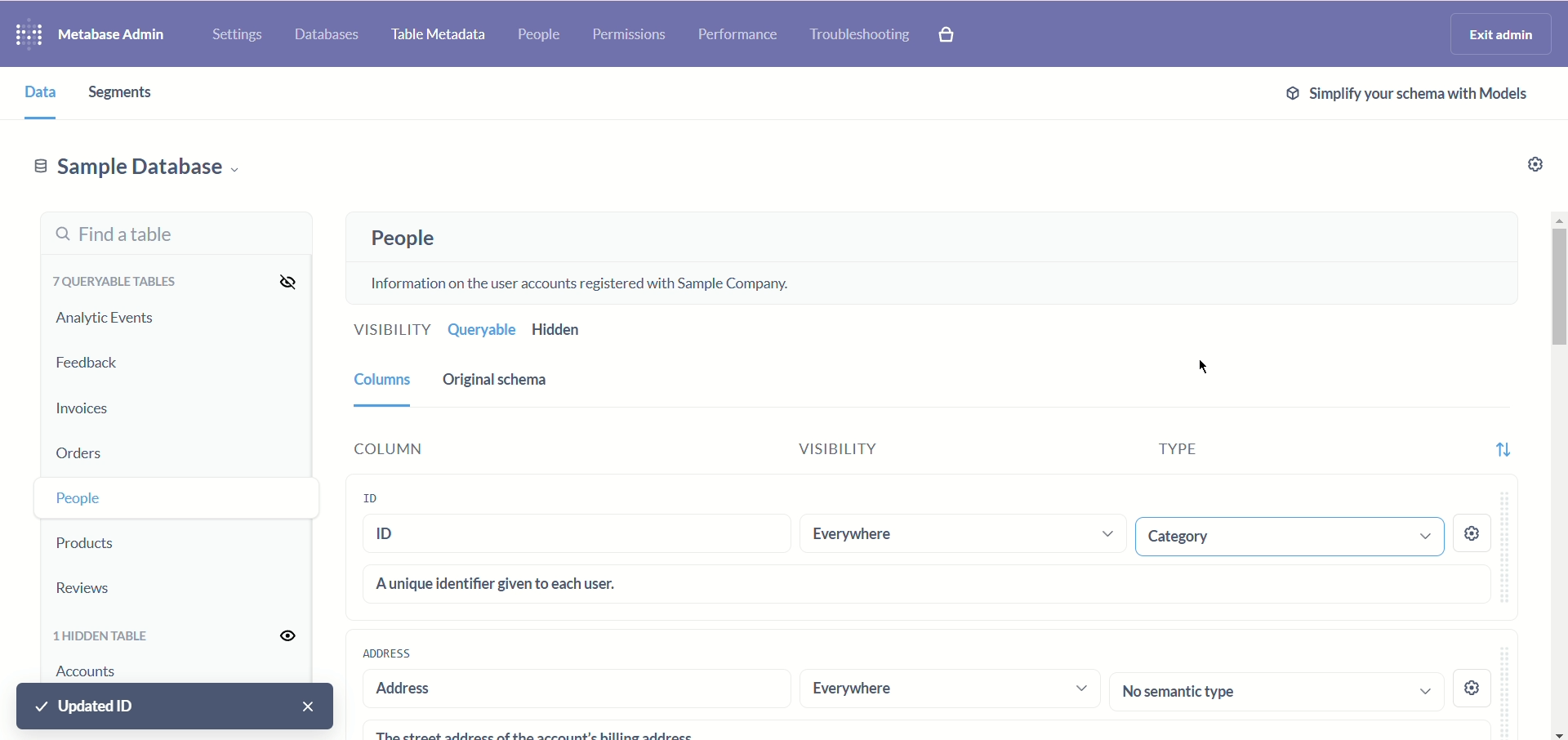 Image resolution: width=1568 pixels, height=740 pixels. Describe the element at coordinates (117, 496) in the screenshot. I see `People` at that location.